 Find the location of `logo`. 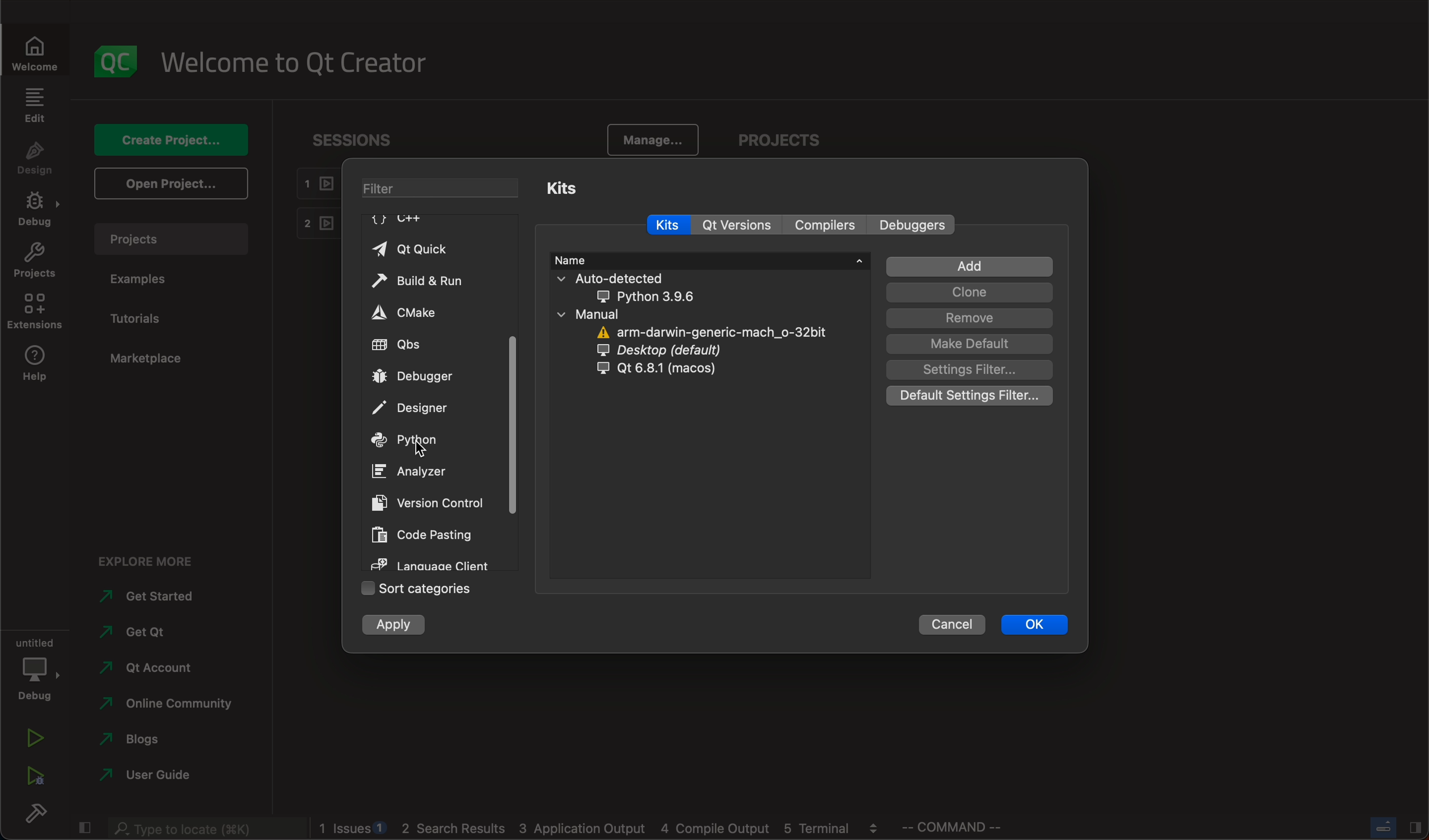

logo is located at coordinates (111, 62).